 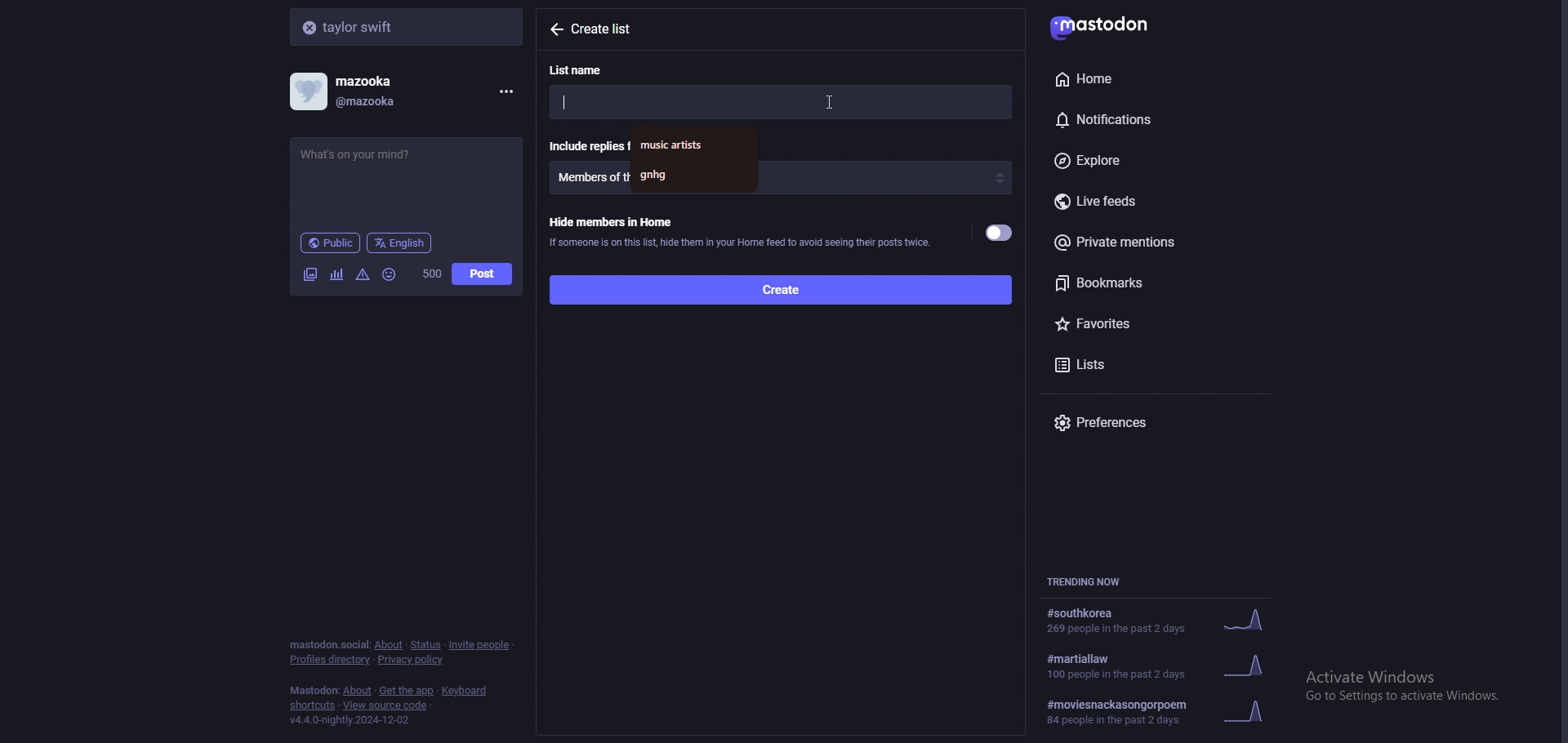 I want to click on trending, so click(x=1157, y=621).